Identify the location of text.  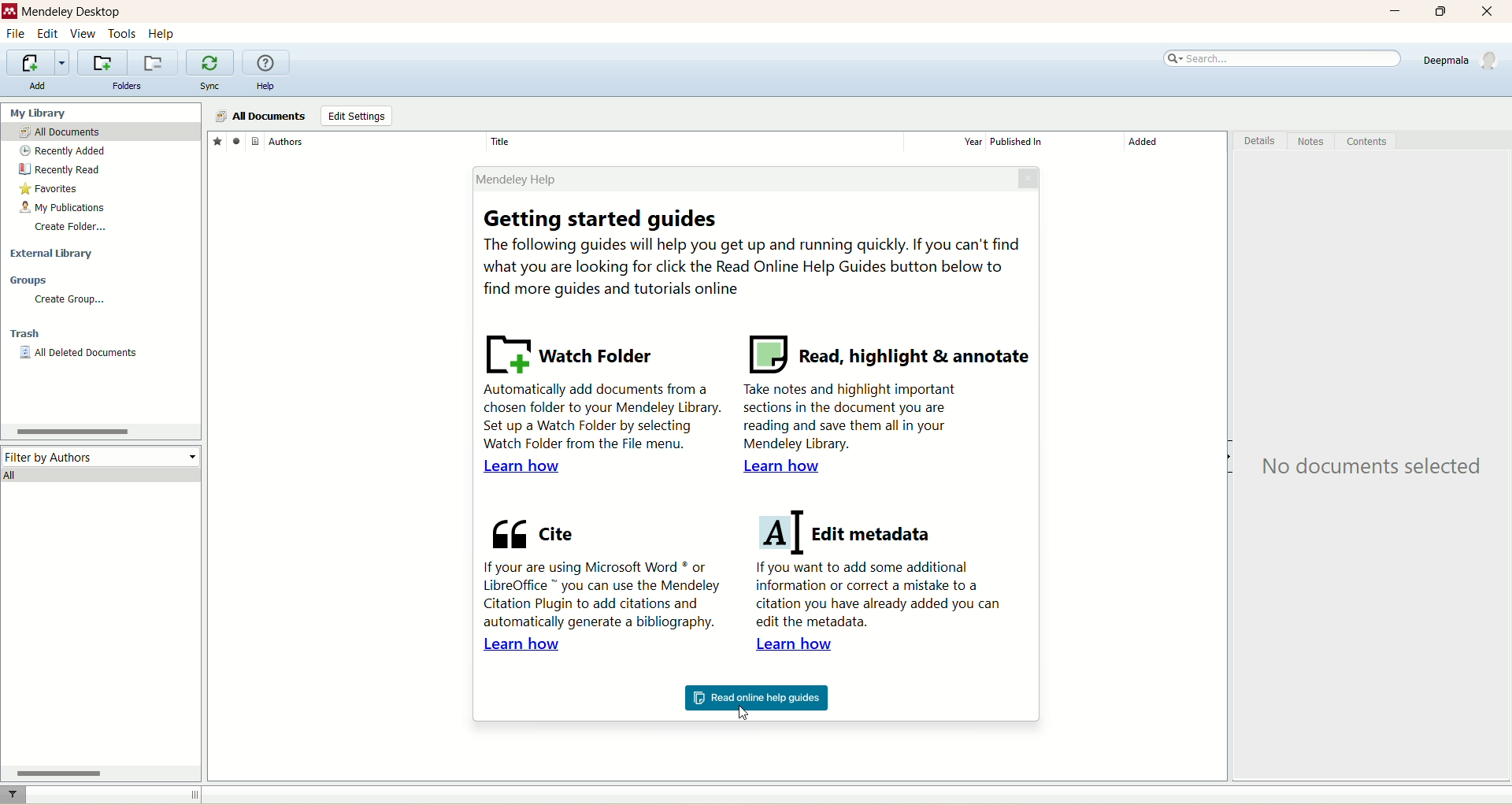
(1367, 469).